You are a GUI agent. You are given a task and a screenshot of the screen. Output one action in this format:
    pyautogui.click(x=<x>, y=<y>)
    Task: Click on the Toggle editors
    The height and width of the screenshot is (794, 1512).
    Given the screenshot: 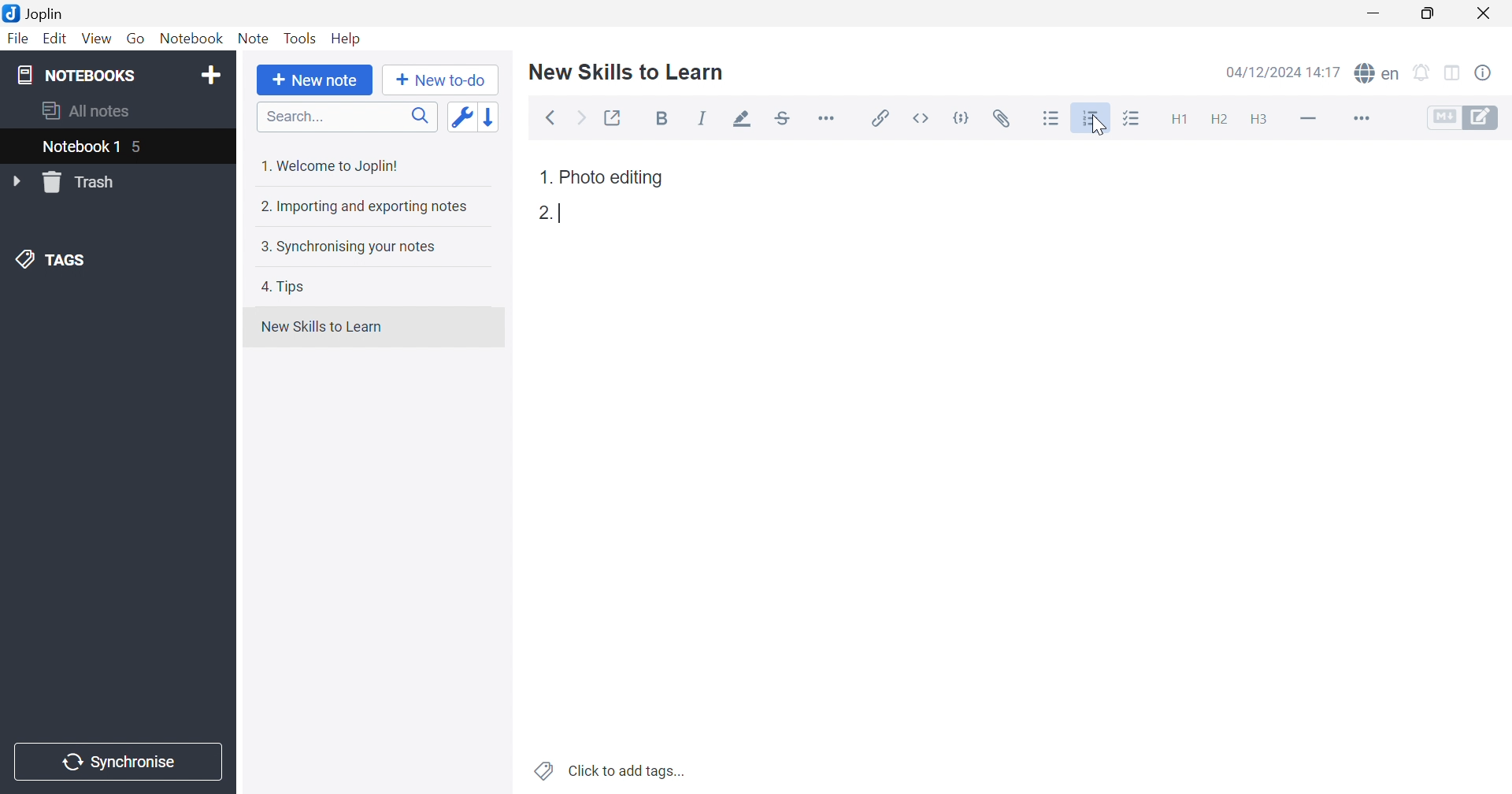 What is the action you would take?
    pyautogui.click(x=1463, y=117)
    